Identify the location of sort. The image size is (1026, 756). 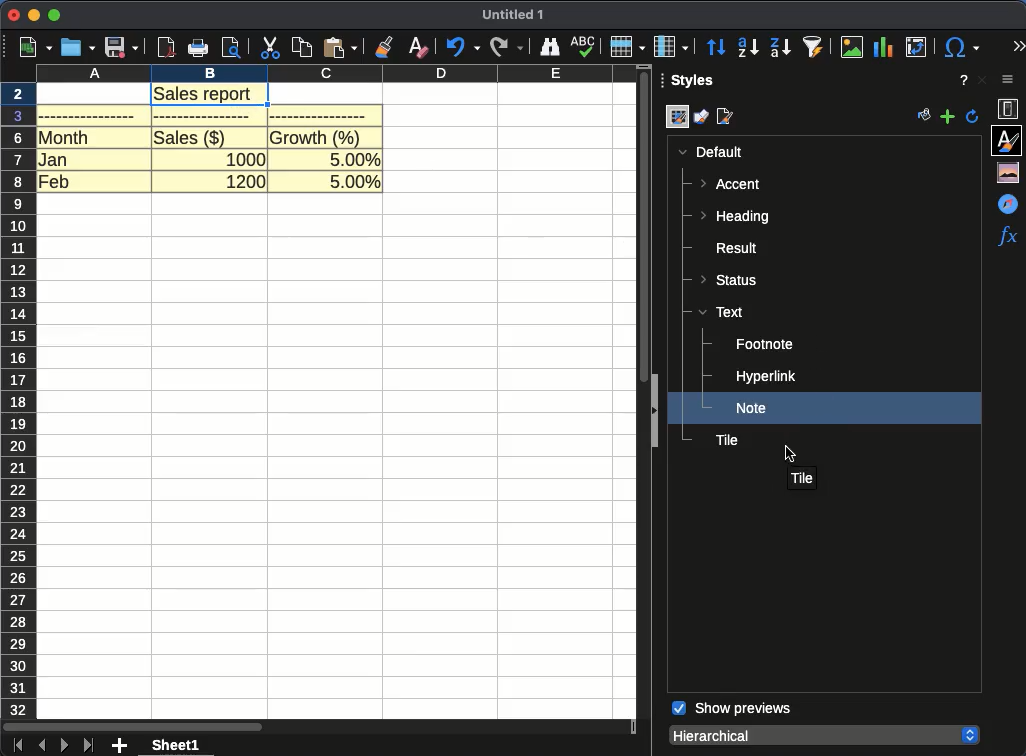
(717, 48).